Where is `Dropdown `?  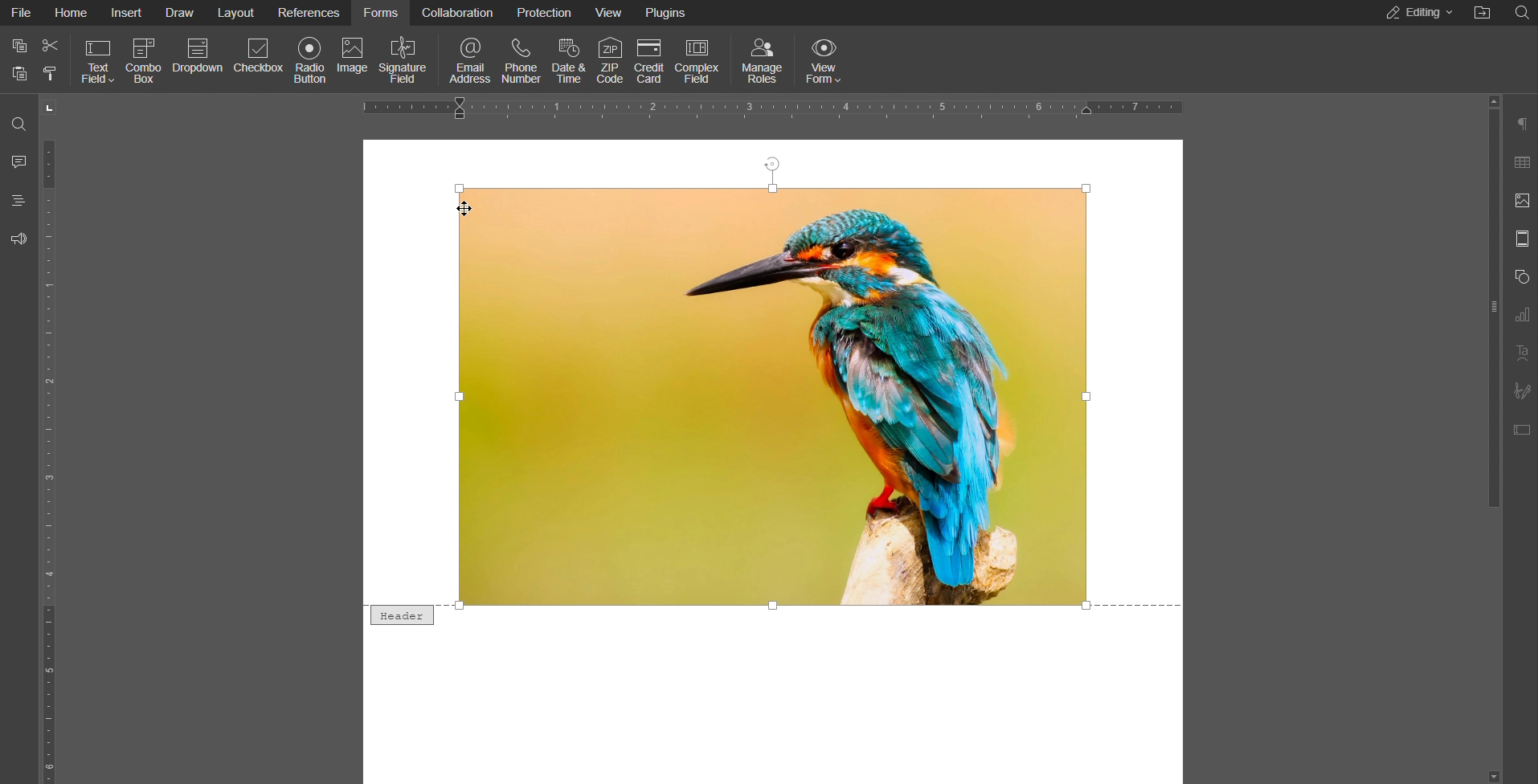
Dropdown  is located at coordinates (198, 59).